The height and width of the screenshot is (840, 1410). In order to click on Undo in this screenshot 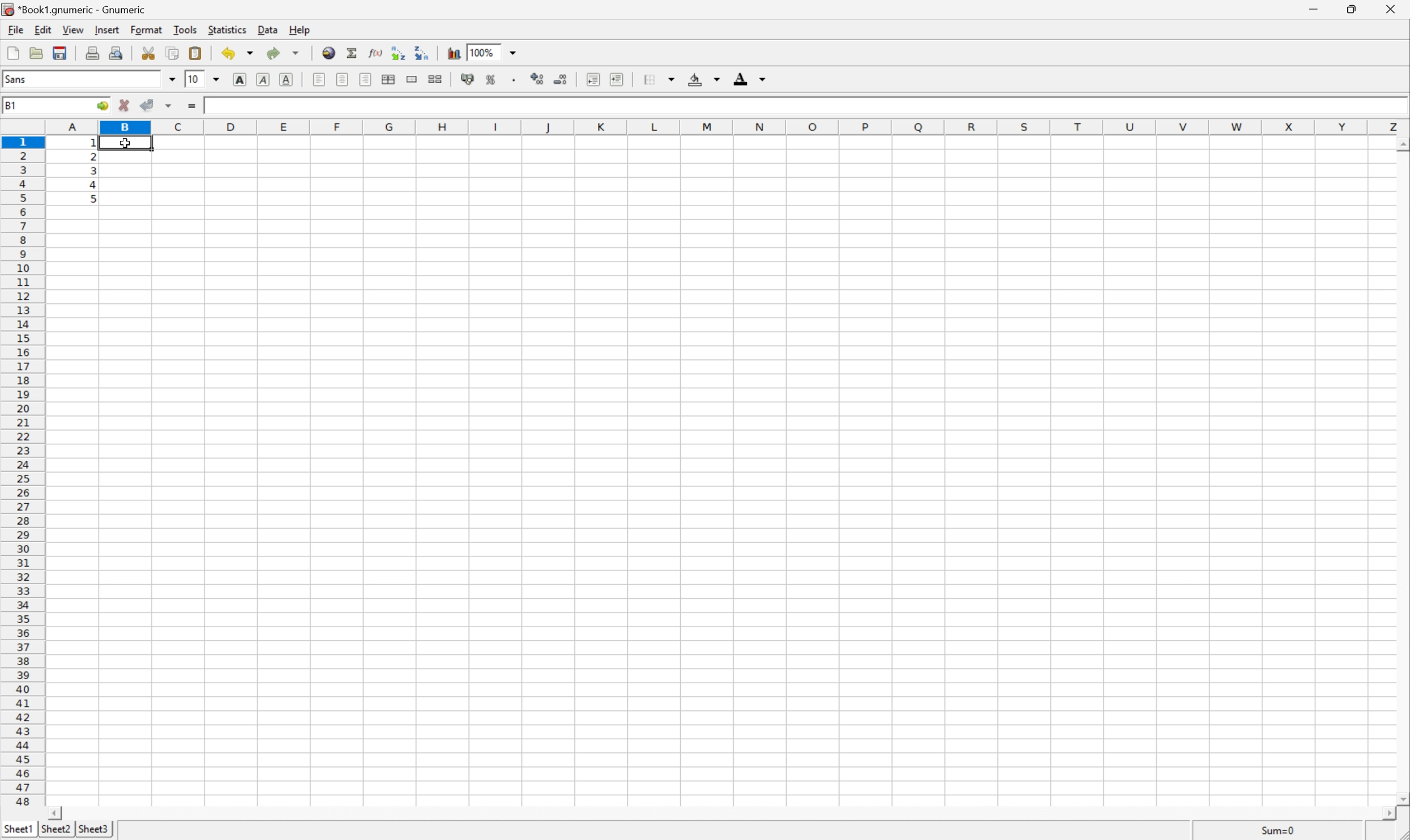, I will do `click(239, 53)`.